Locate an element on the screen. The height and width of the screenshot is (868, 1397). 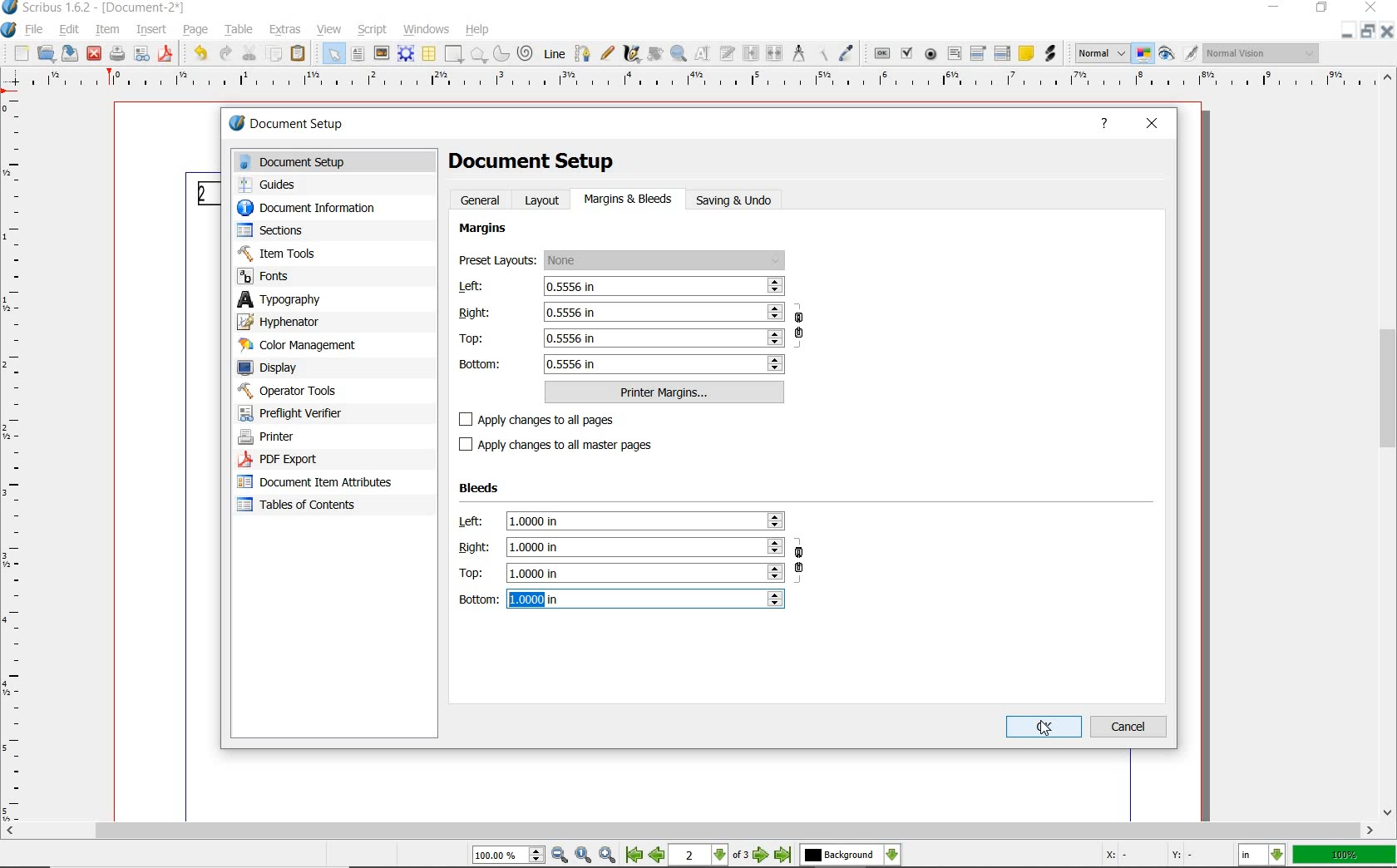
page is located at coordinates (197, 31).